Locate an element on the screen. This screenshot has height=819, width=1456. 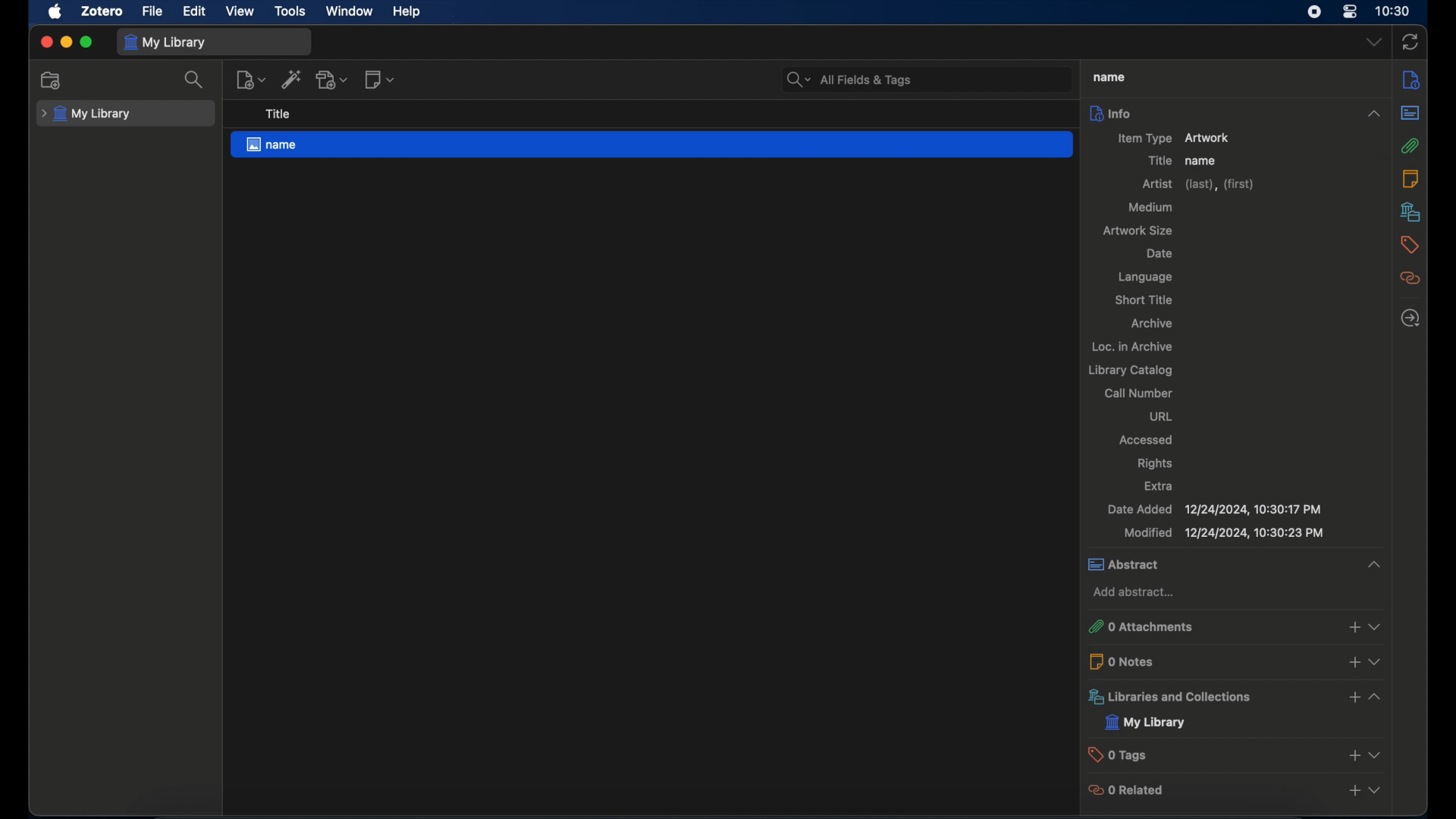
tags is located at coordinates (1407, 244).